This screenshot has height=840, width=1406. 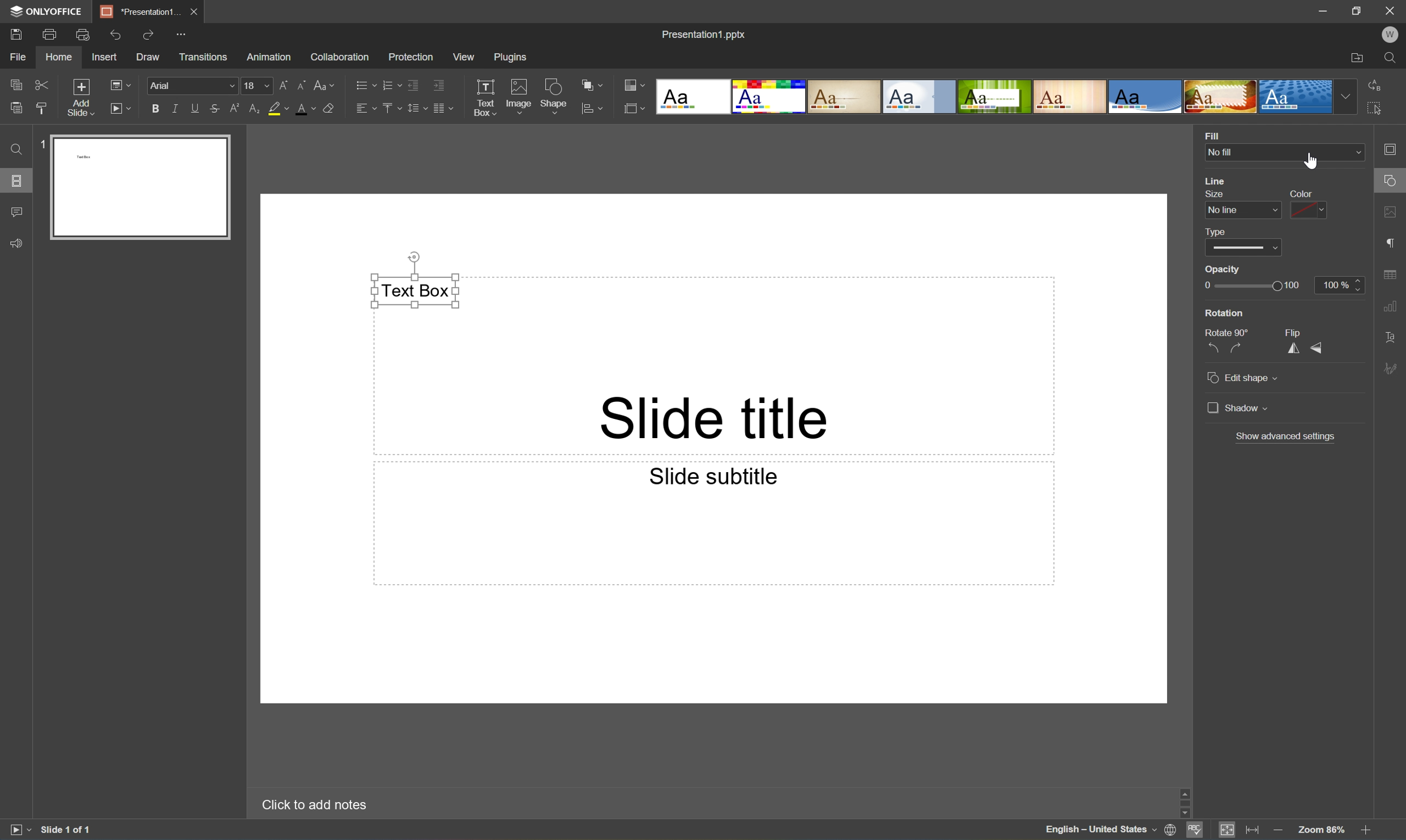 What do you see at coordinates (66, 828) in the screenshot?
I see `Slide 1 of 1` at bounding box center [66, 828].